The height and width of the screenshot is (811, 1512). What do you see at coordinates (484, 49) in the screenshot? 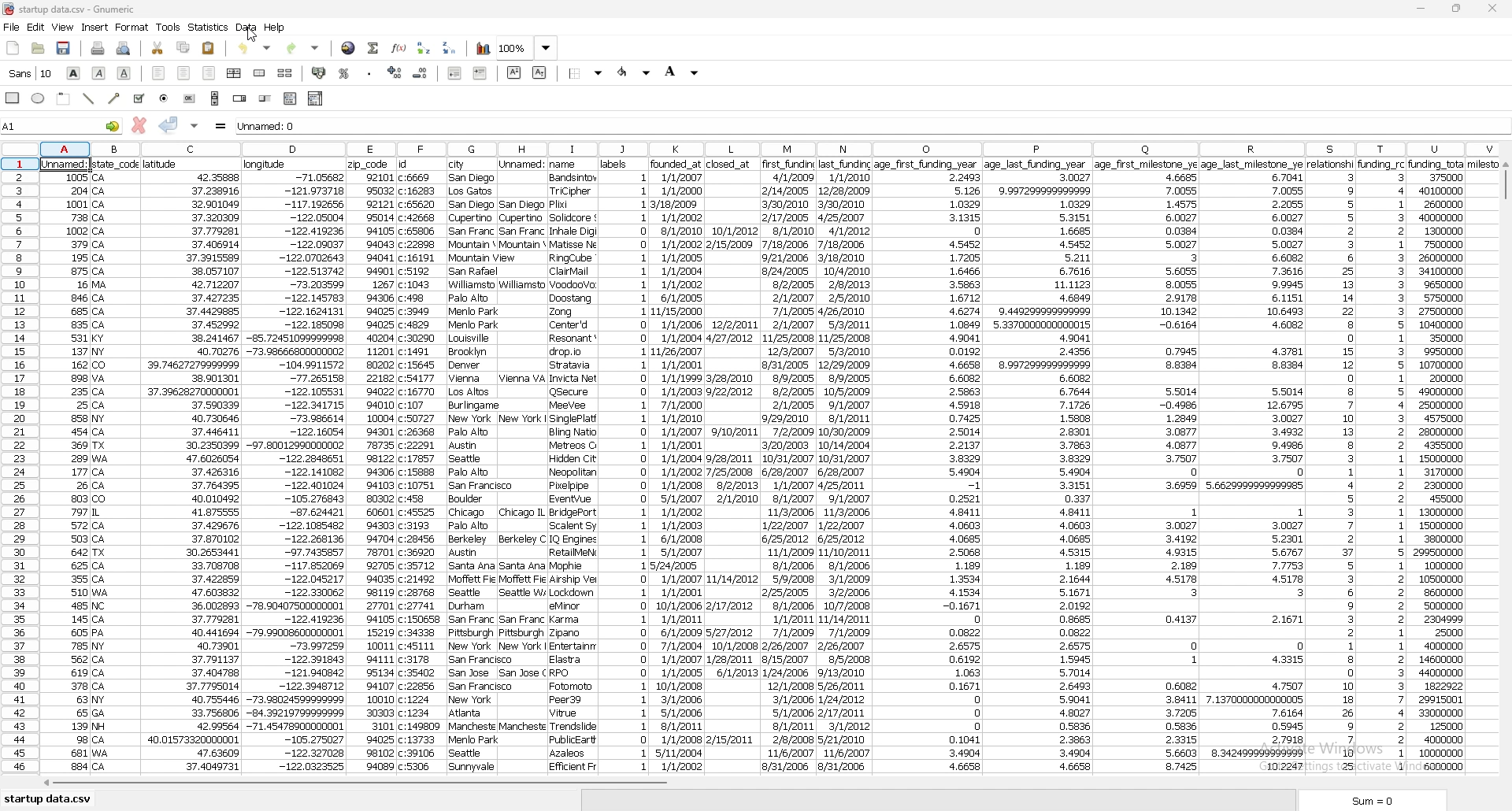
I see `chart` at bounding box center [484, 49].